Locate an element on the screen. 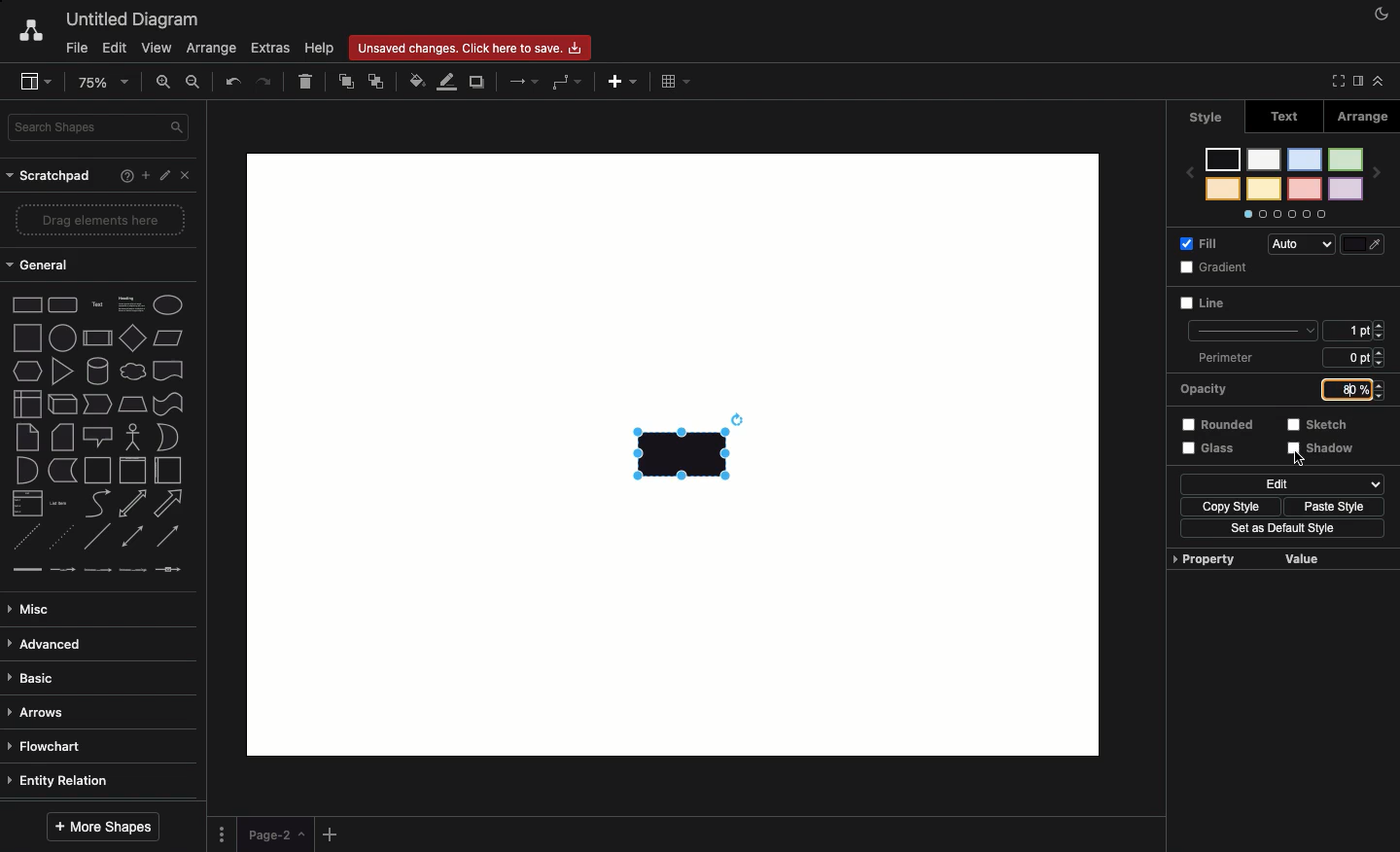 Image resolution: width=1400 pixels, height=852 pixels. To front is located at coordinates (346, 81).